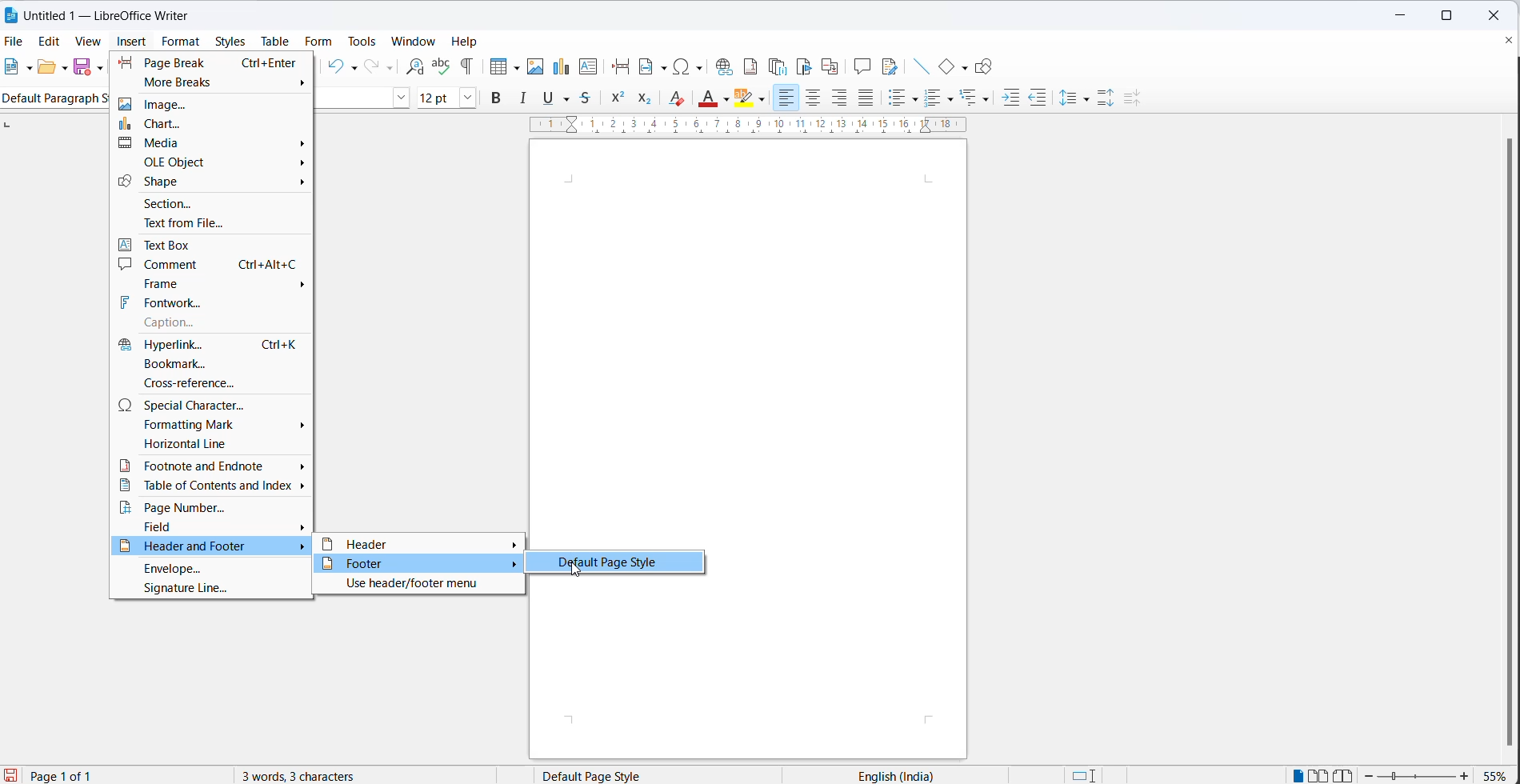 Image resolution: width=1520 pixels, height=784 pixels. Describe the element at coordinates (422, 543) in the screenshot. I see `header` at that location.